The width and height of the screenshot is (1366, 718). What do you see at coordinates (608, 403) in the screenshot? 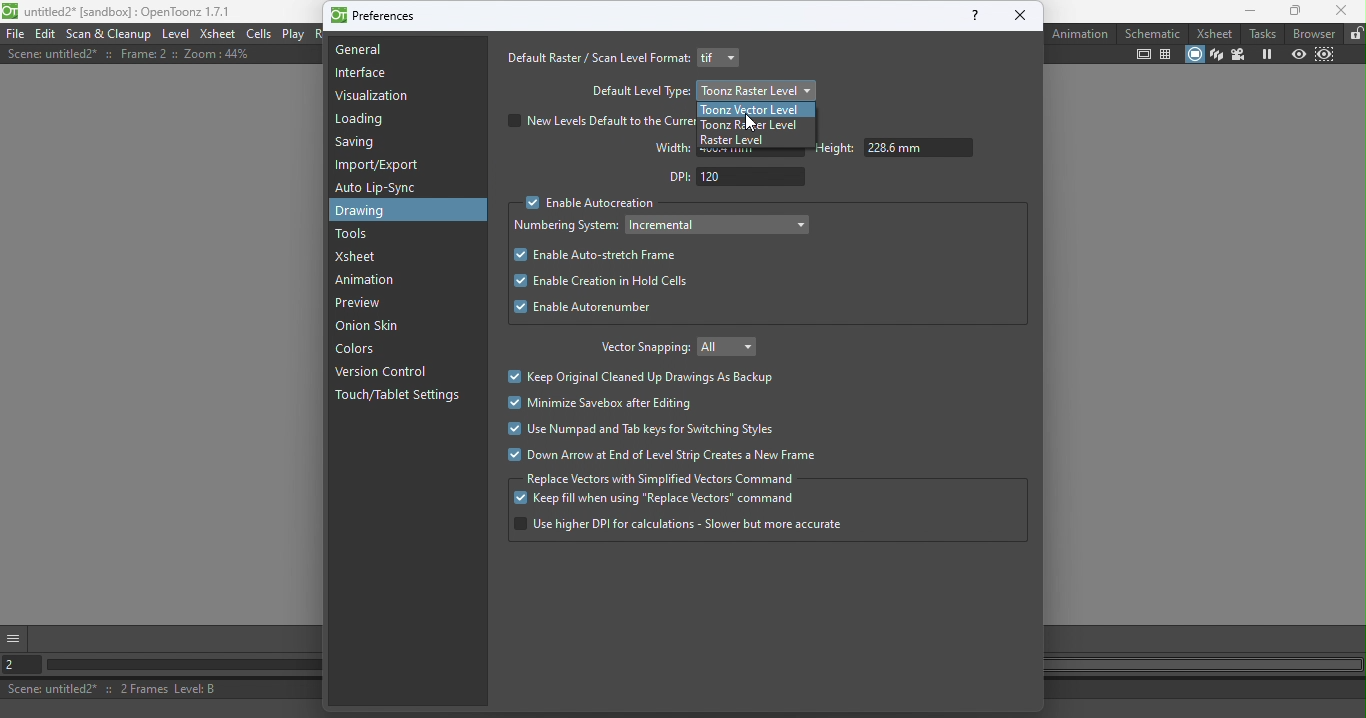
I see `Minimize savebox after editing` at bounding box center [608, 403].